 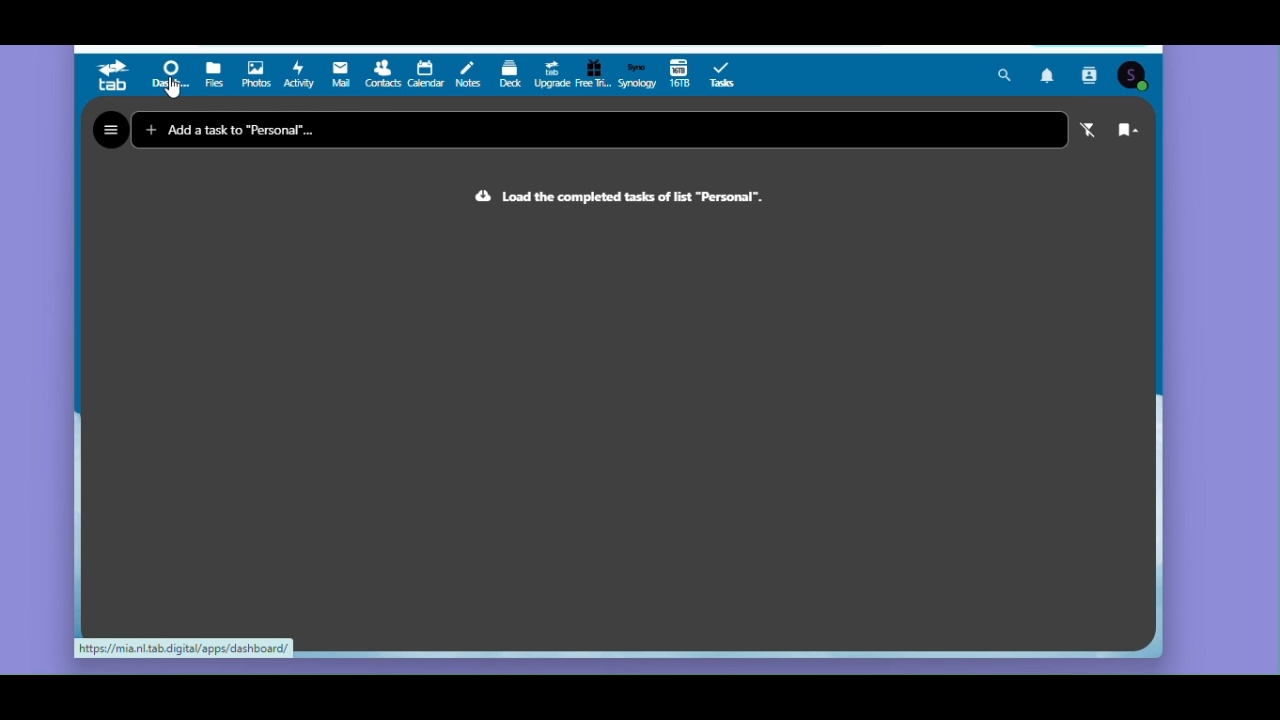 What do you see at coordinates (594, 75) in the screenshot?
I see `Retrieval` at bounding box center [594, 75].